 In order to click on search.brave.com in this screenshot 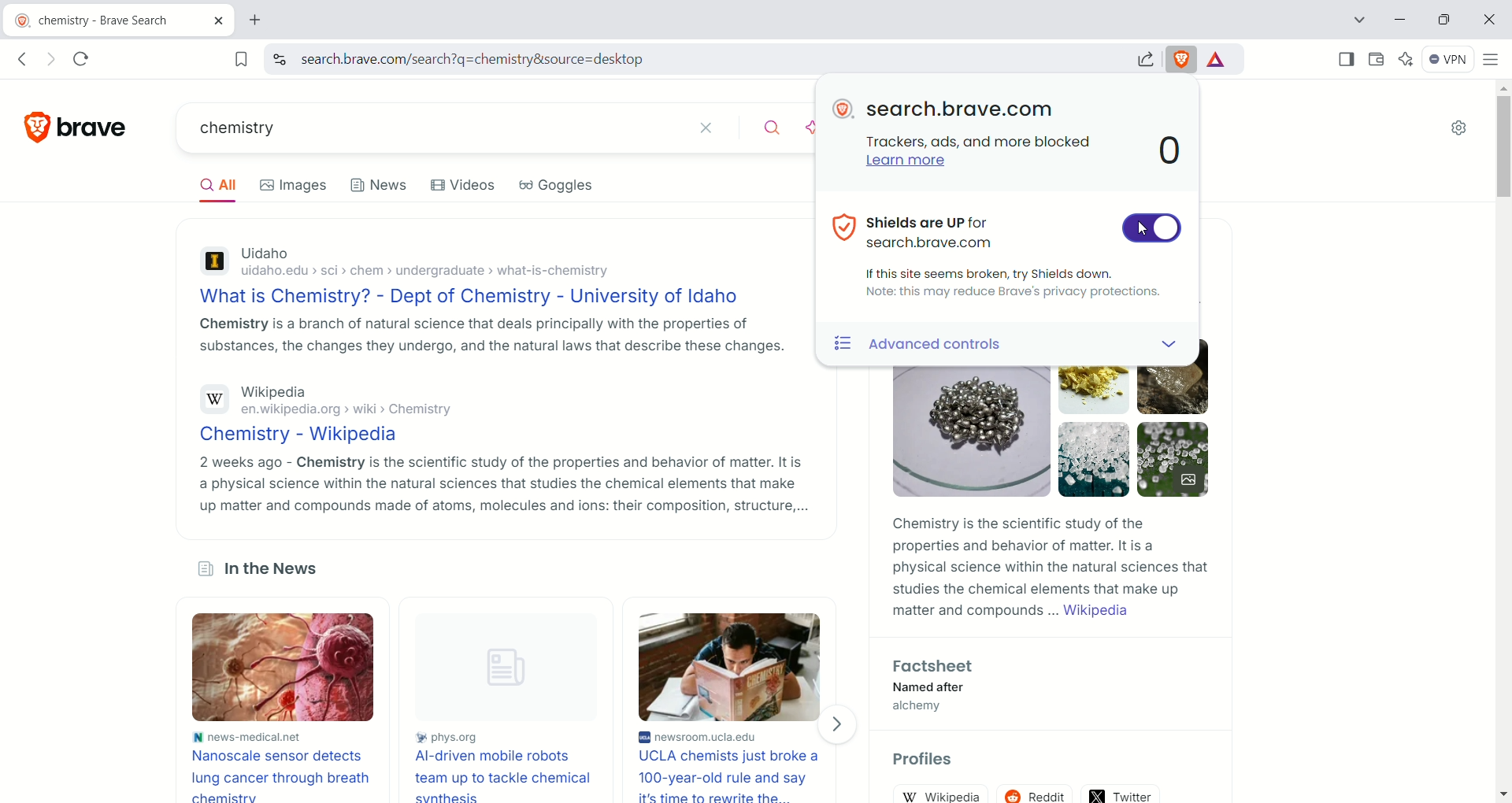, I will do `click(962, 109)`.